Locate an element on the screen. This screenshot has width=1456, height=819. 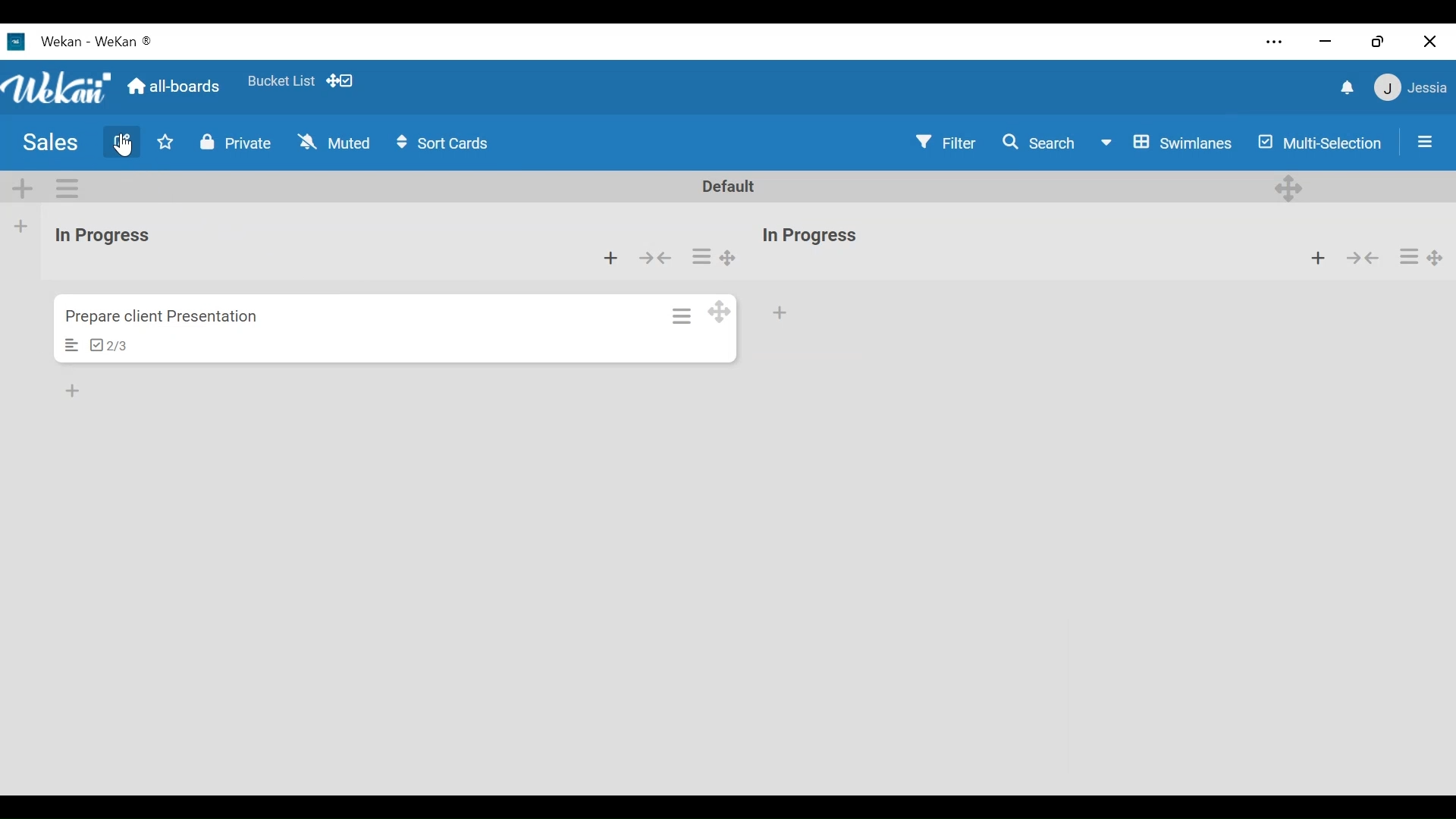
list actions is located at coordinates (1410, 257).